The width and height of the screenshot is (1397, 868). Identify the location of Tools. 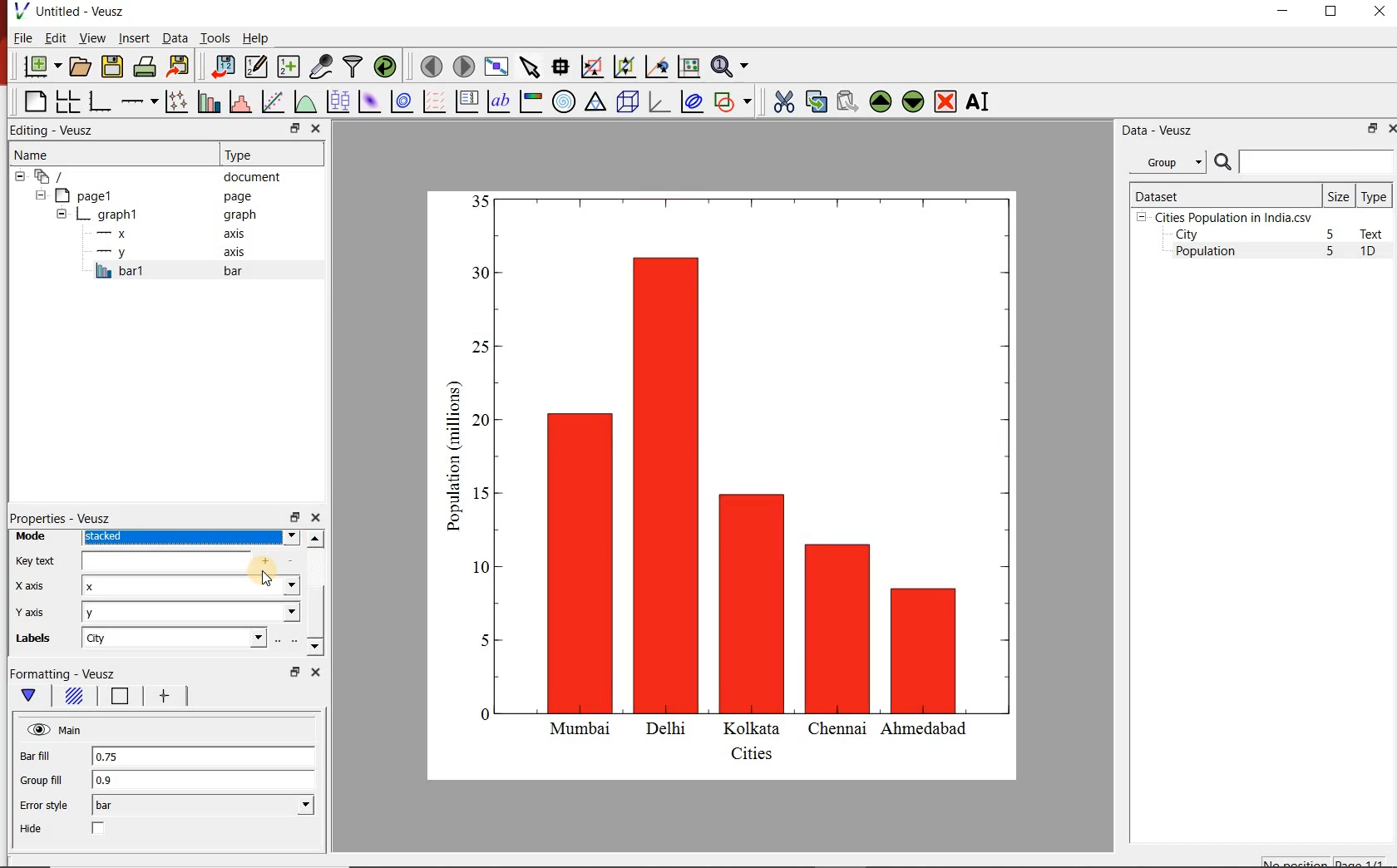
(214, 37).